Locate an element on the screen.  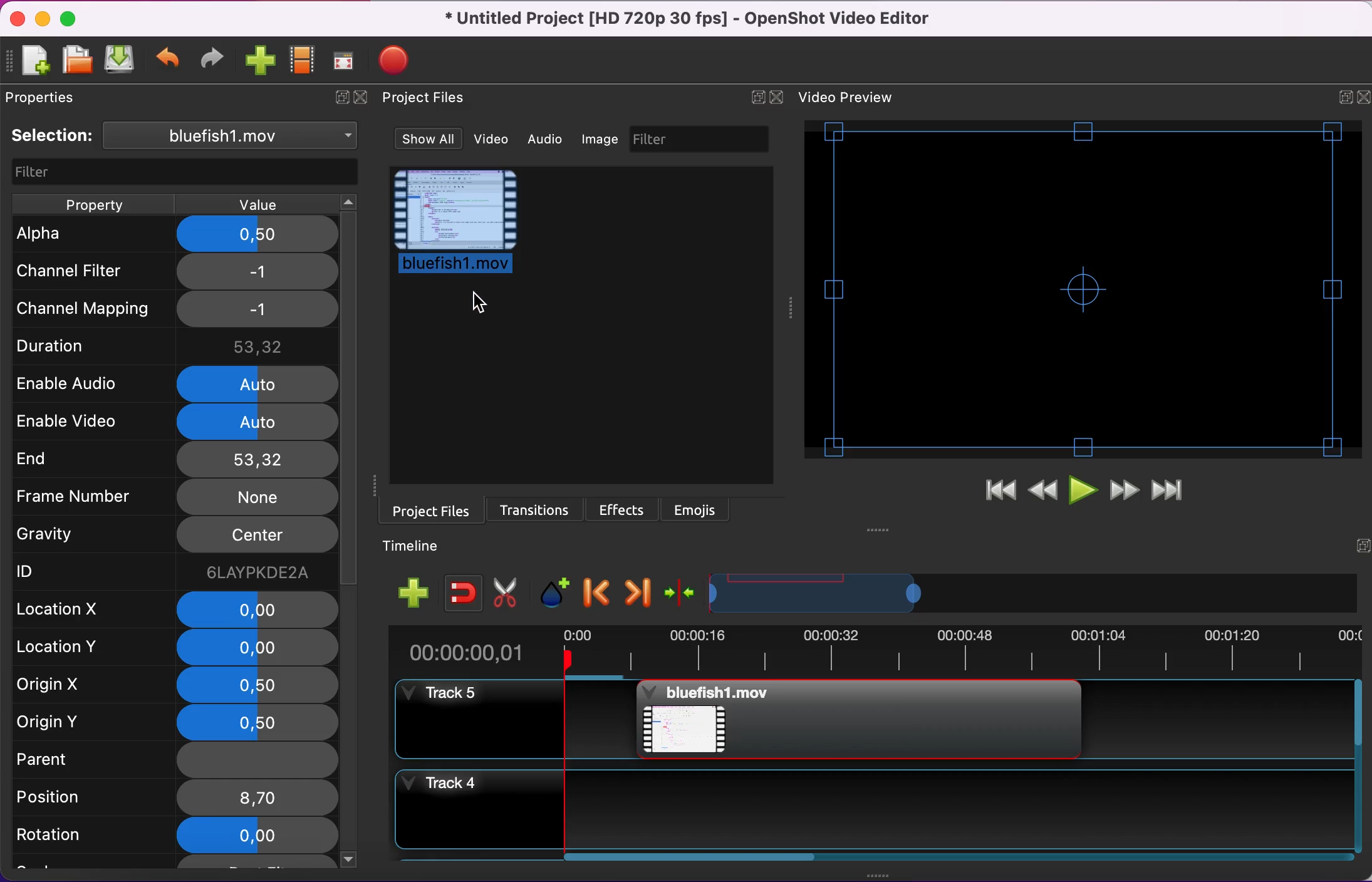
expand/hide is located at coordinates (758, 95).